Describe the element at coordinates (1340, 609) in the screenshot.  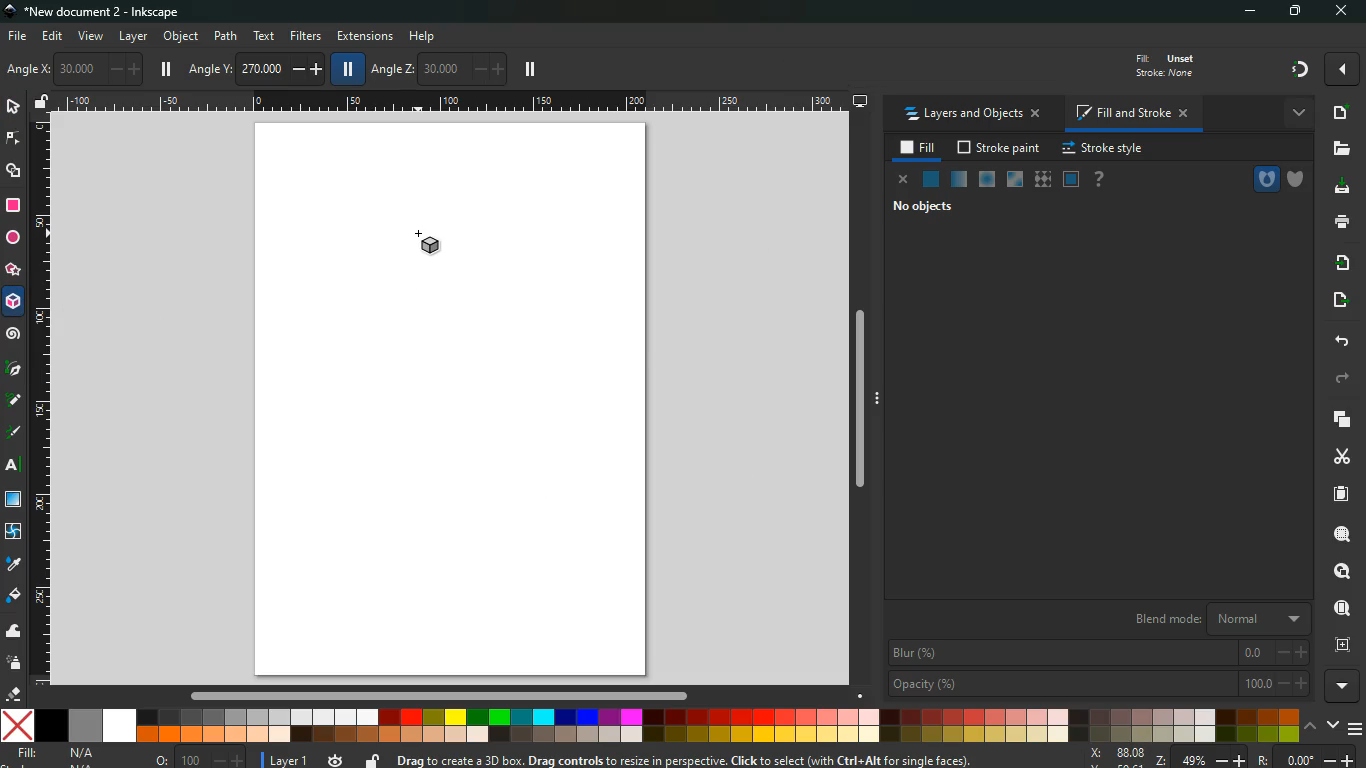
I see `find` at that location.